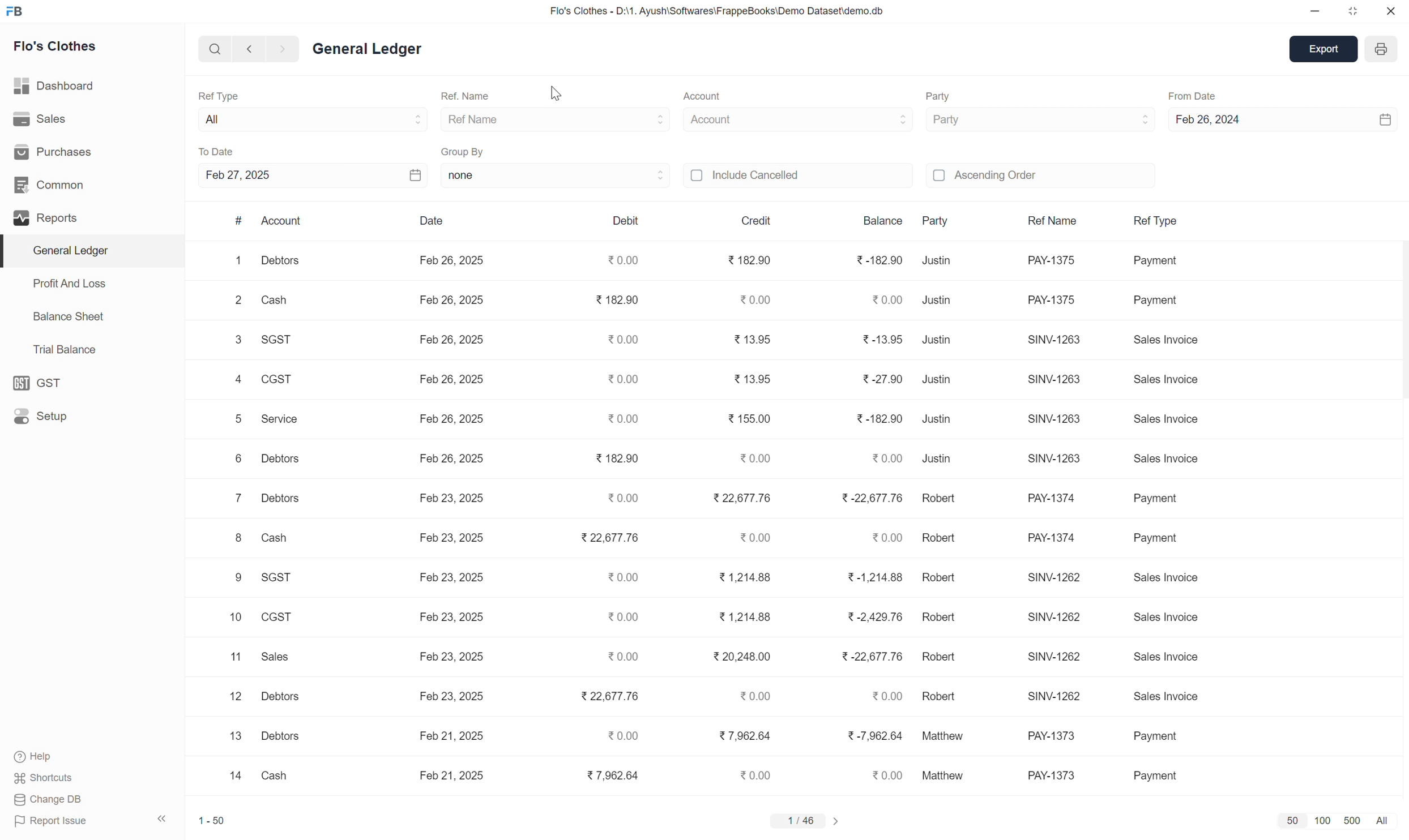 This screenshot has width=1409, height=840. I want to click on sales, so click(274, 657).